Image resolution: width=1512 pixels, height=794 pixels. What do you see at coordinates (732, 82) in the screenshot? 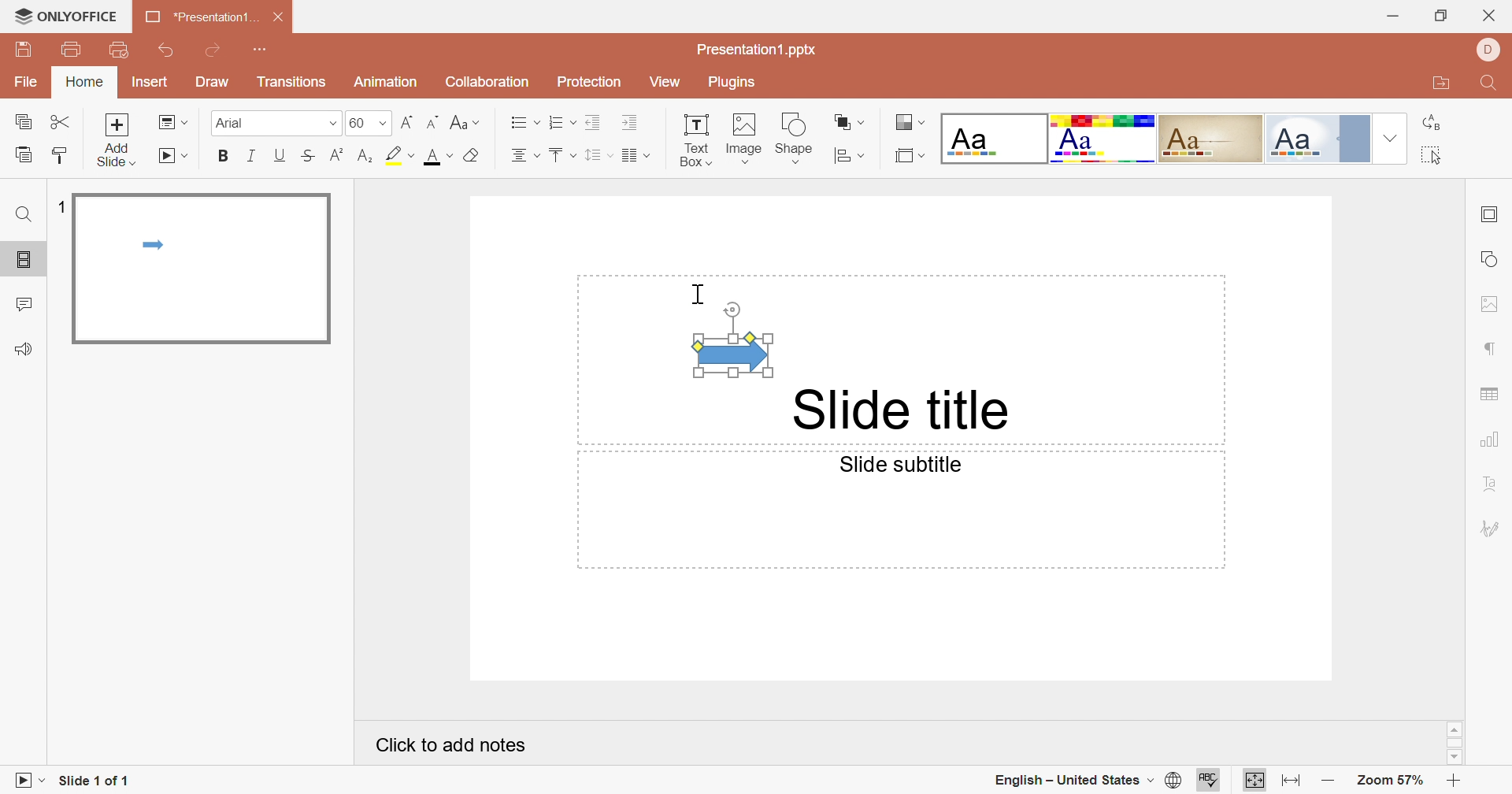
I see `Plugins` at bounding box center [732, 82].